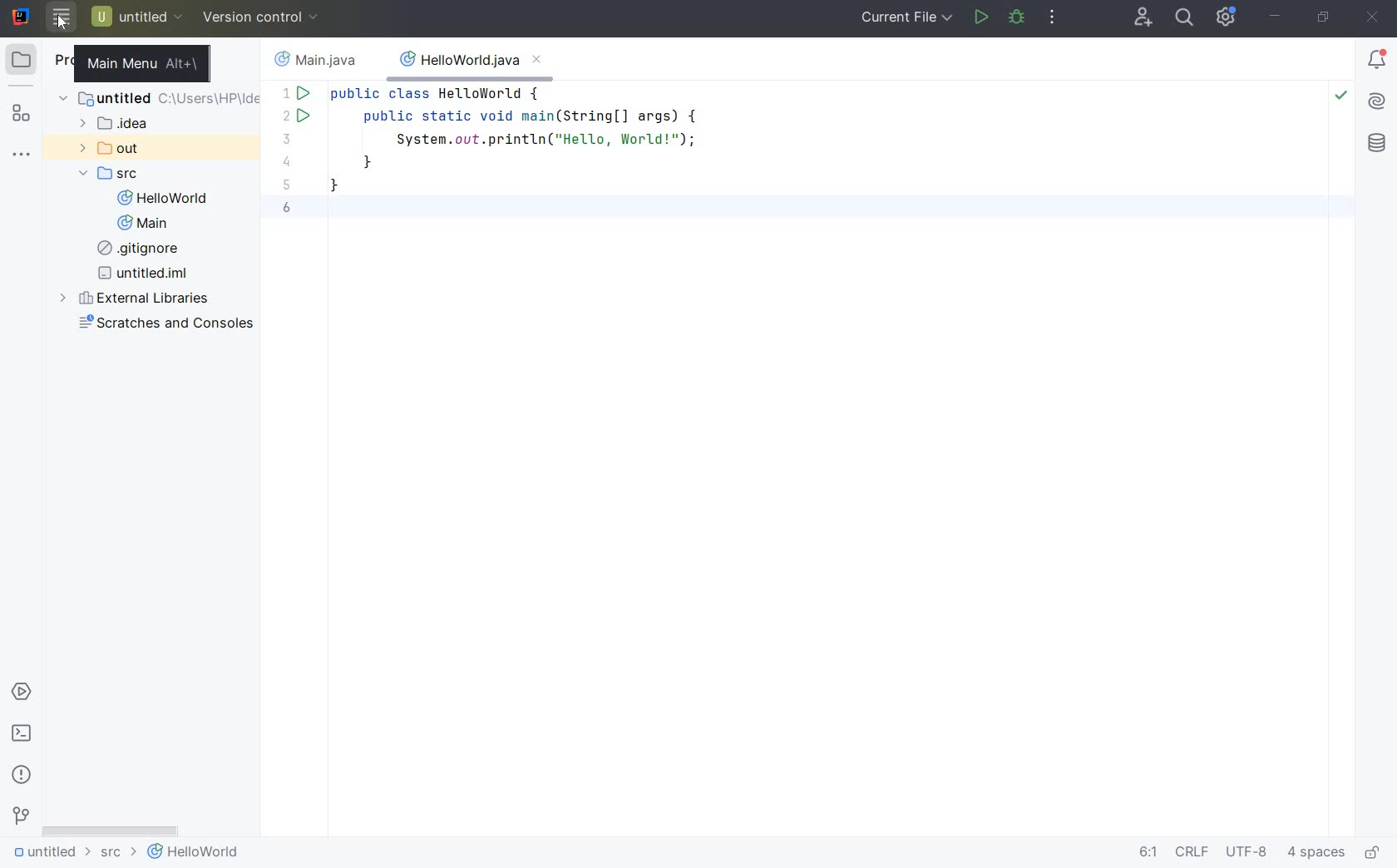 The image size is (1397, 868). I want to click on filename, so click(317, 59).